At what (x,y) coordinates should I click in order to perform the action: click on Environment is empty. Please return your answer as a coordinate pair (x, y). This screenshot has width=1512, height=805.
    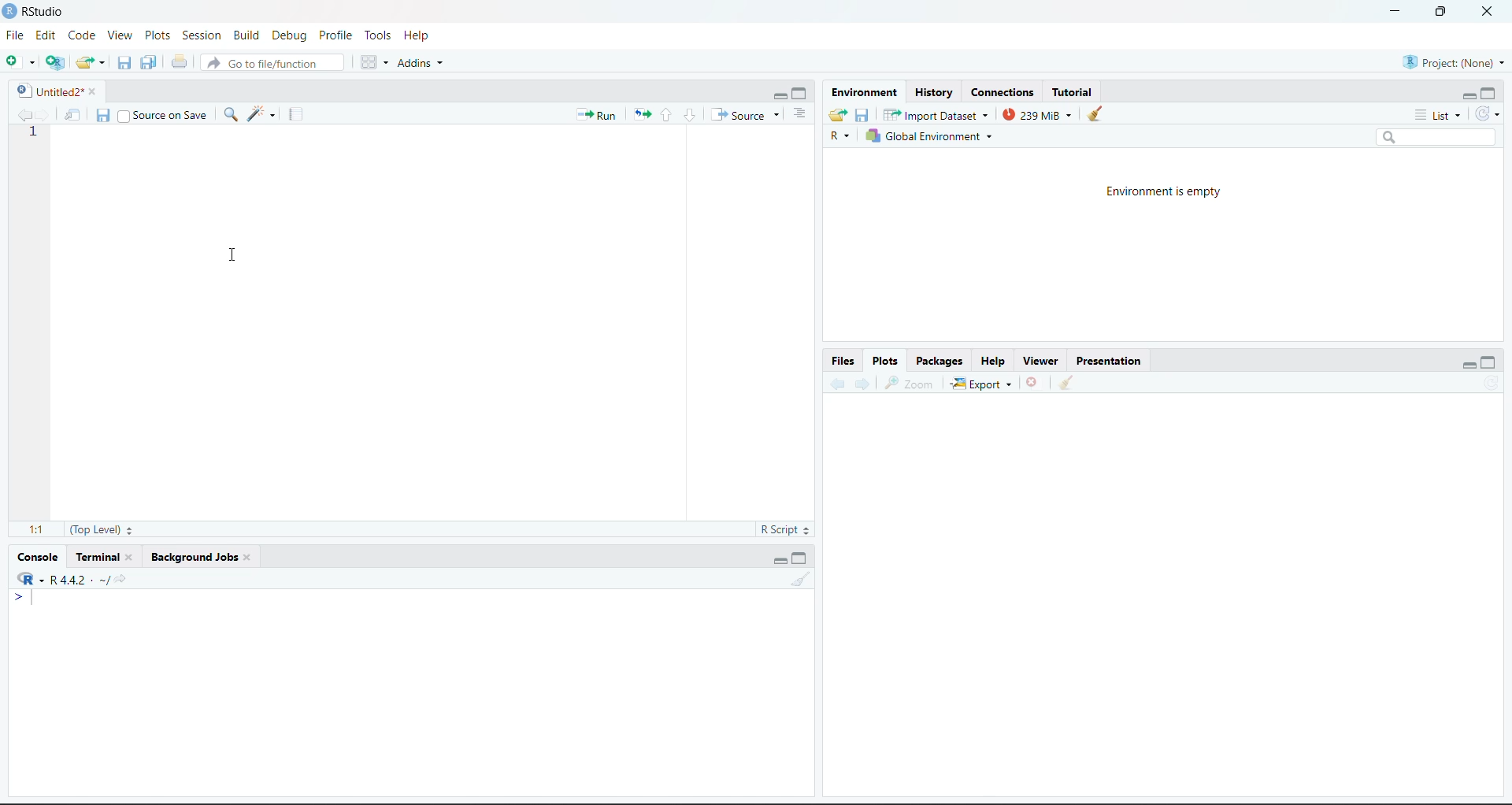
    Looking at the image, I should click on (1166, 191).